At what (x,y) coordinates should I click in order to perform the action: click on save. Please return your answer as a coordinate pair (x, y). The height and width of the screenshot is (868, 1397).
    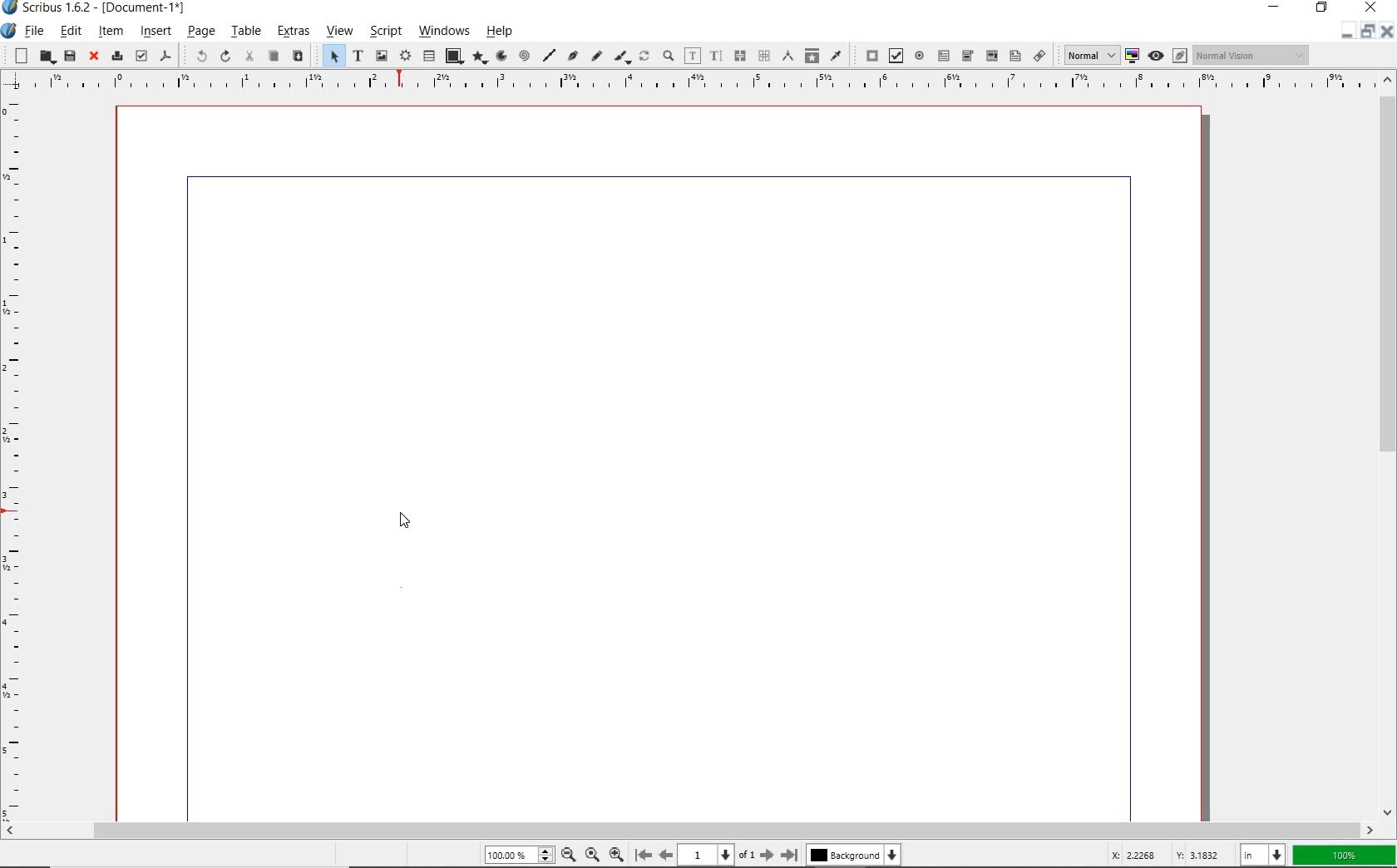
    Looking at the image, I should click on (69, 56).